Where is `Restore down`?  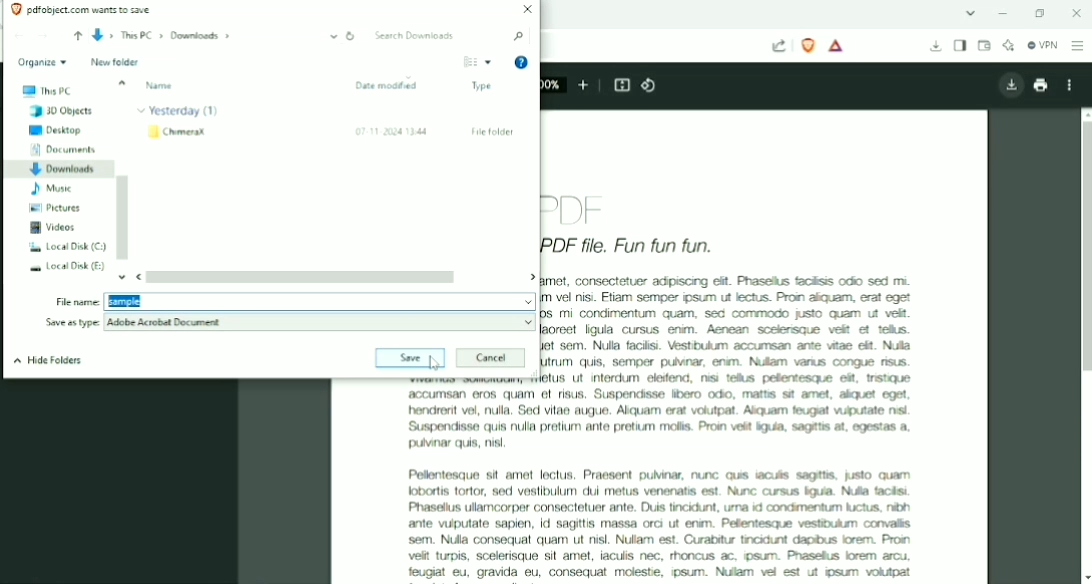 Restore down is located at coordinates (1040, 13).